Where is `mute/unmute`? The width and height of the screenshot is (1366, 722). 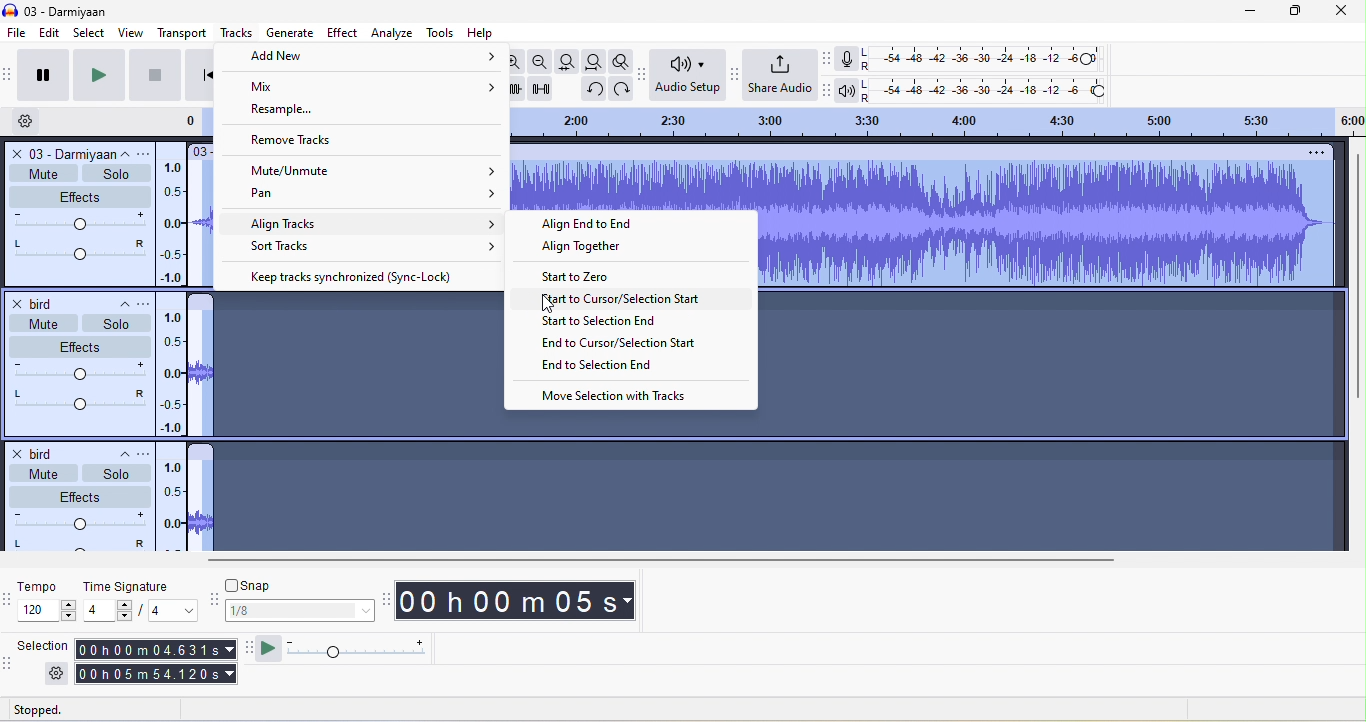 mute/unmute is located at coordinates (377, 172).